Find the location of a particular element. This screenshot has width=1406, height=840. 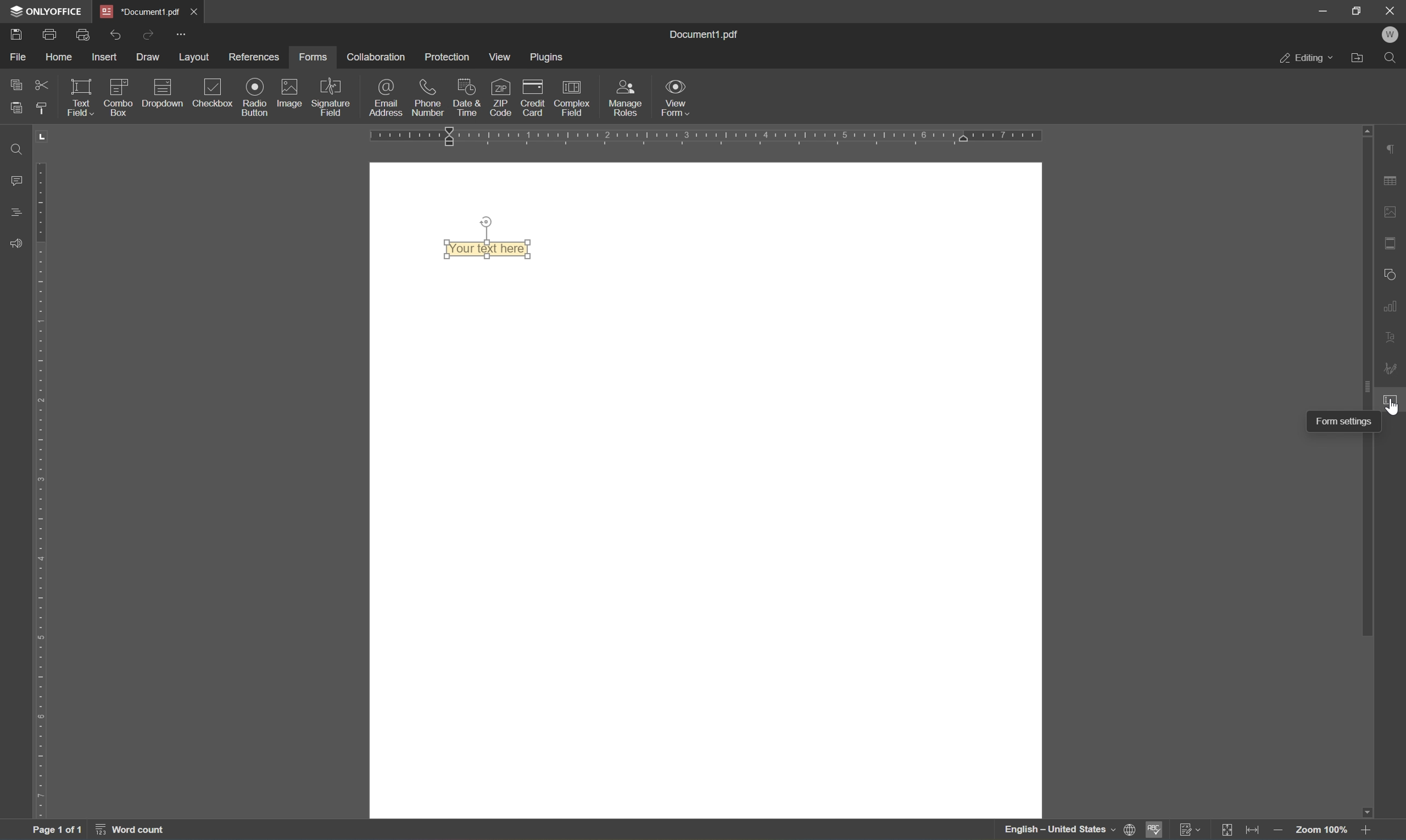

view form is located at coordinates (677, 97).